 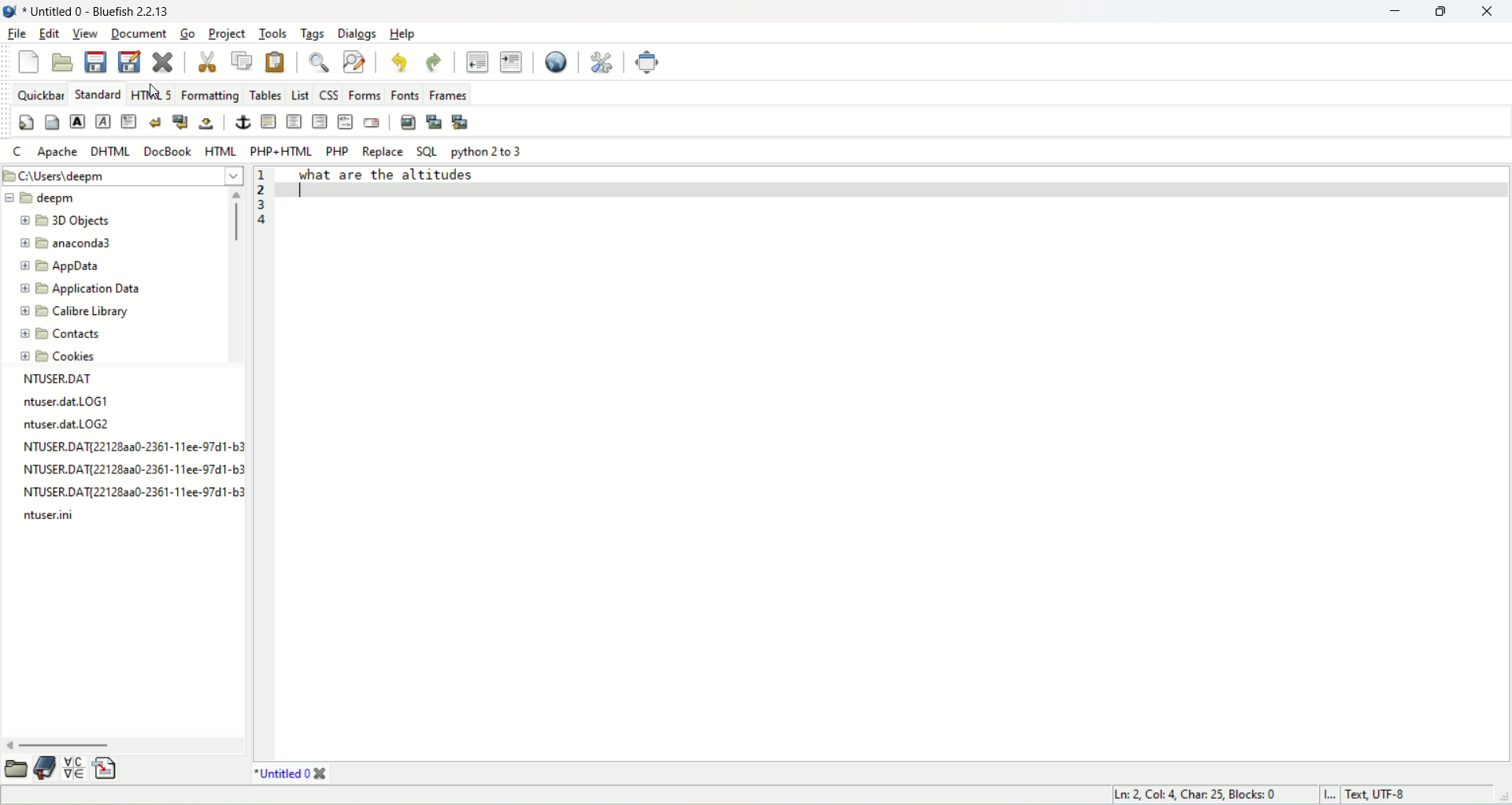 What do you see at coordinates (162, 63) in the screenshot?
I see `close current file` at bounding box center [162, 63].